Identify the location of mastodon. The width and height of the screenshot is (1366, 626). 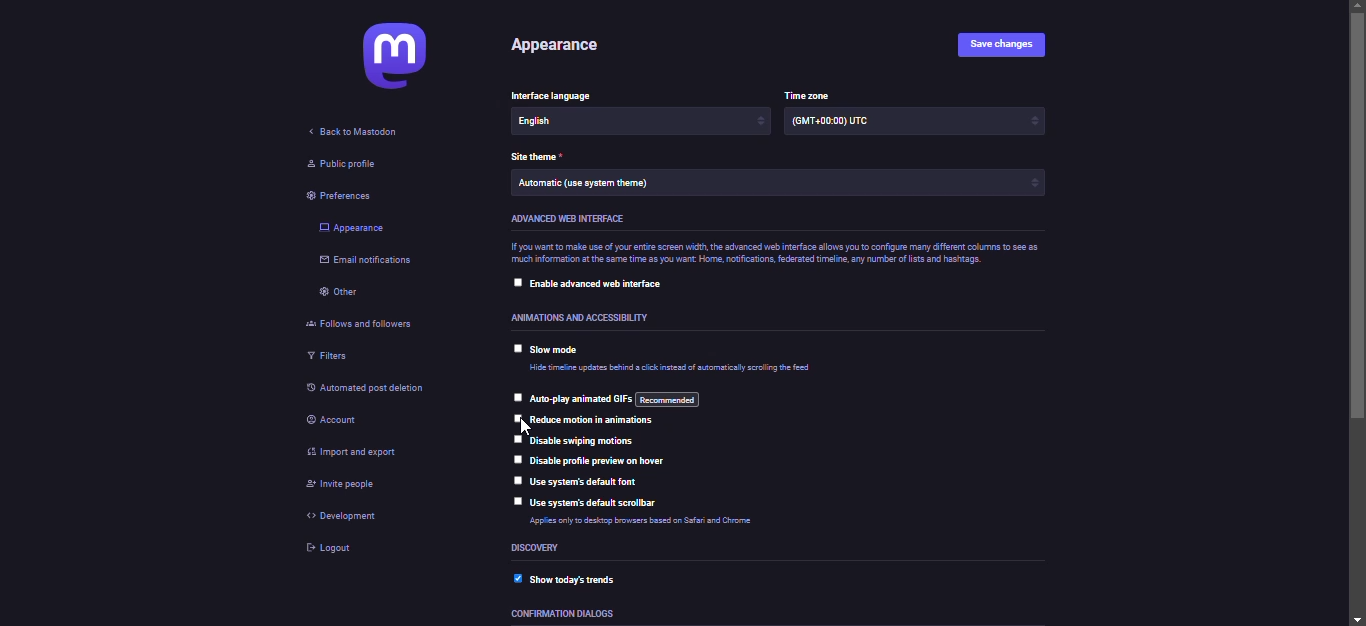
(395, 58).